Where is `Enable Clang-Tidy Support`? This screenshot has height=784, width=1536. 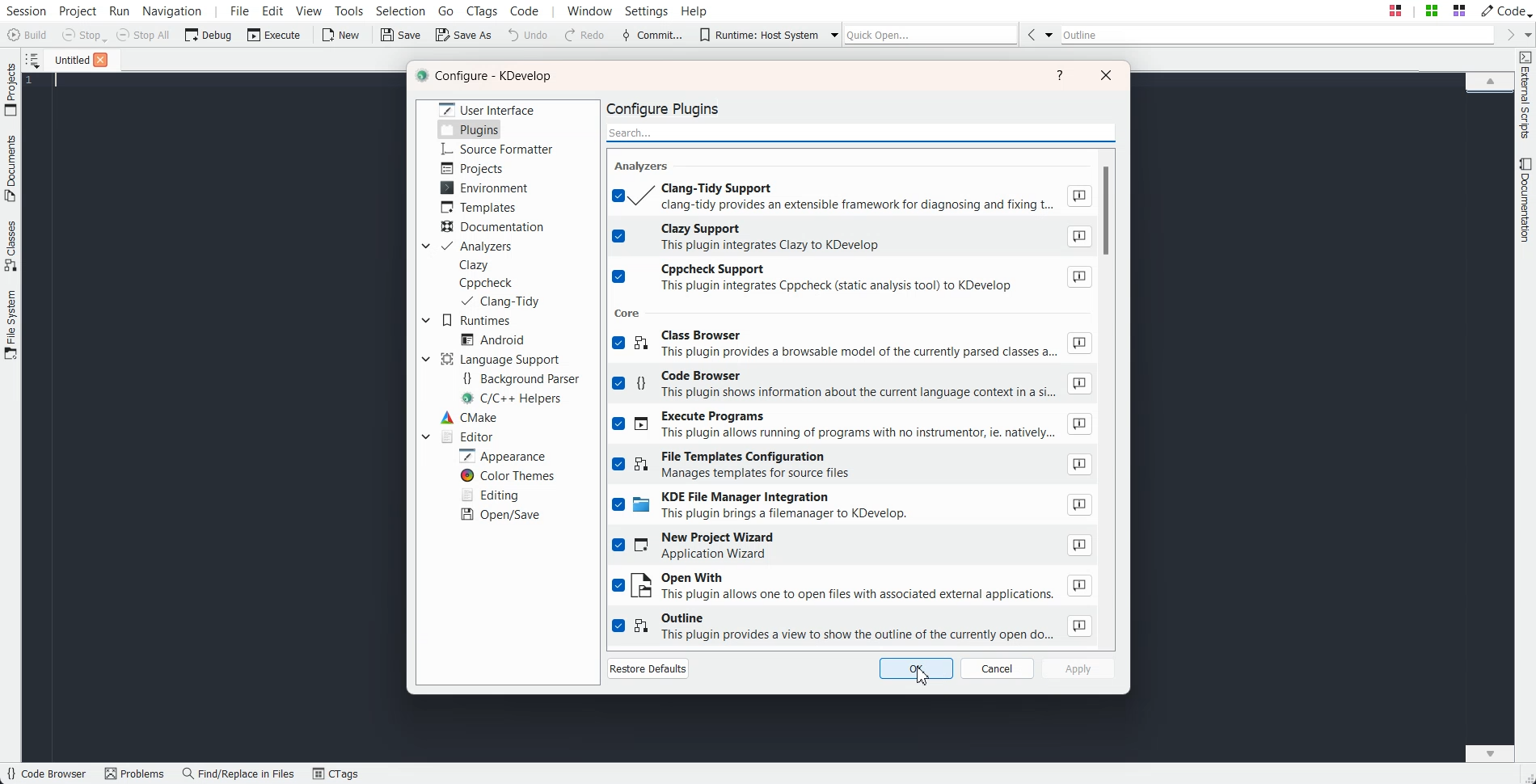
Enable Clang-Tidy Support is located at coordinates (852, 196).